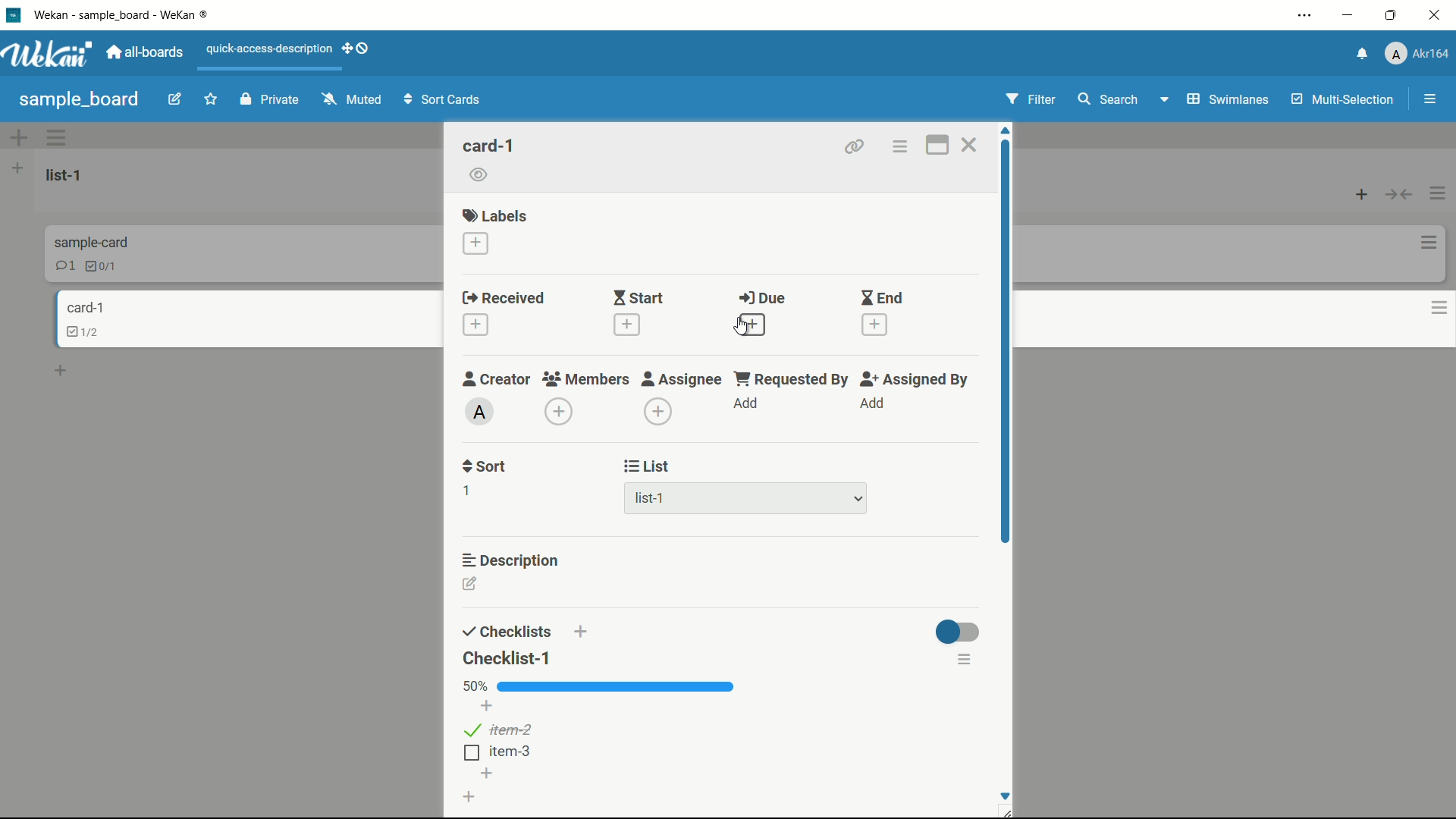 Image resolution: width=1456 pixels, height=819 pixels. I want to click on description, so click(512, 560).